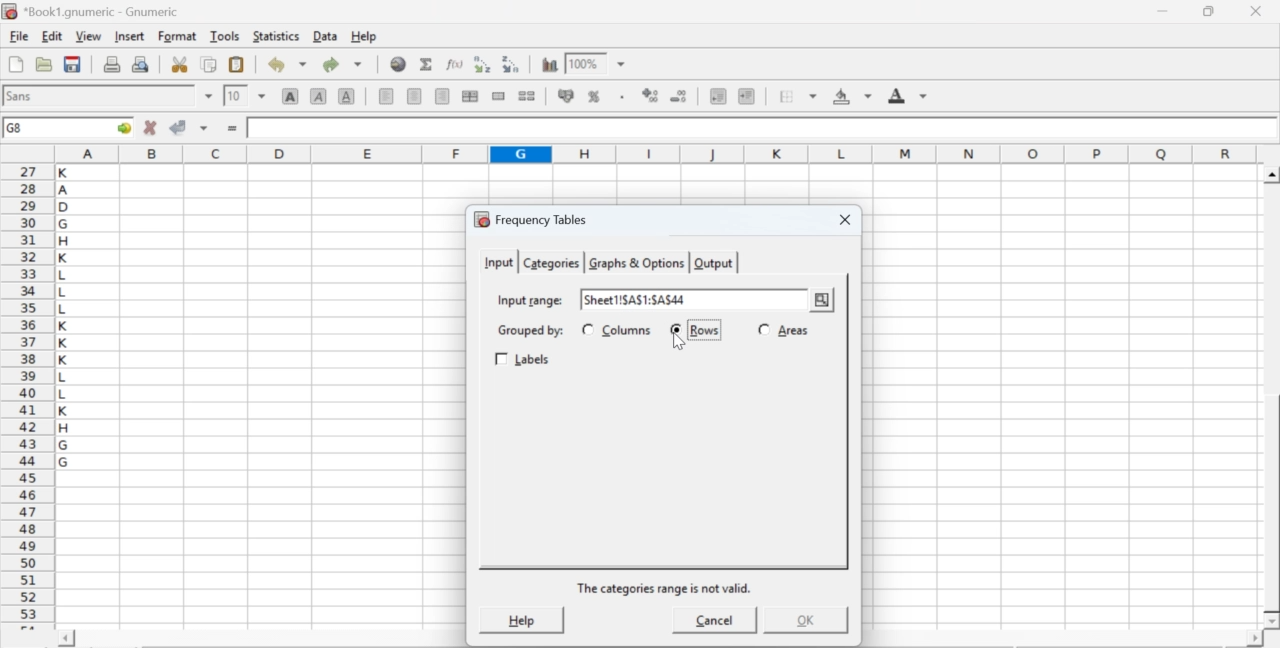 This screenshot has height=648, width=1280. I want to click on accept changes across selection, so click(203, 127).